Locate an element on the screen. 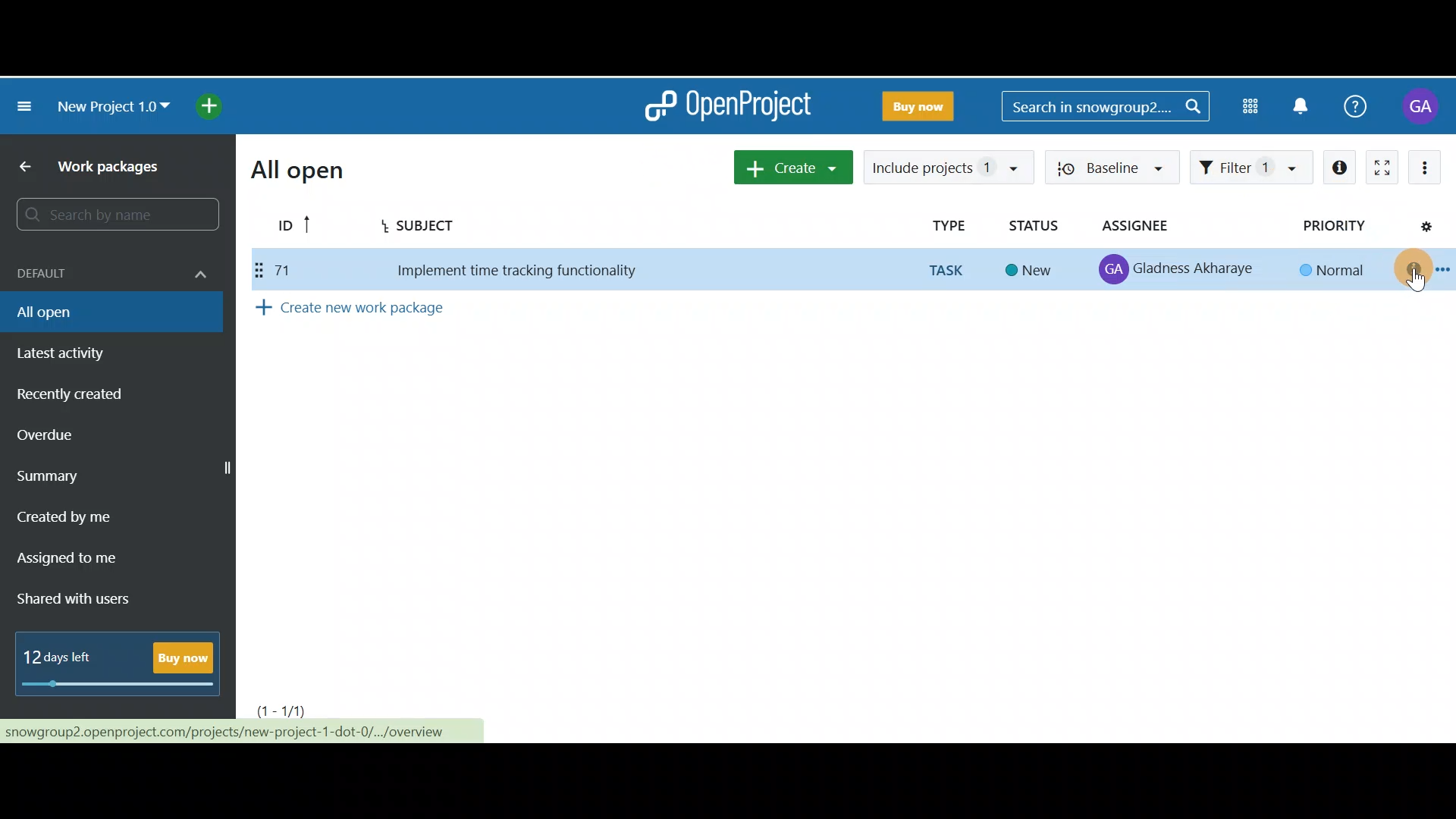  Normal is located at coordinates (1333, 271).